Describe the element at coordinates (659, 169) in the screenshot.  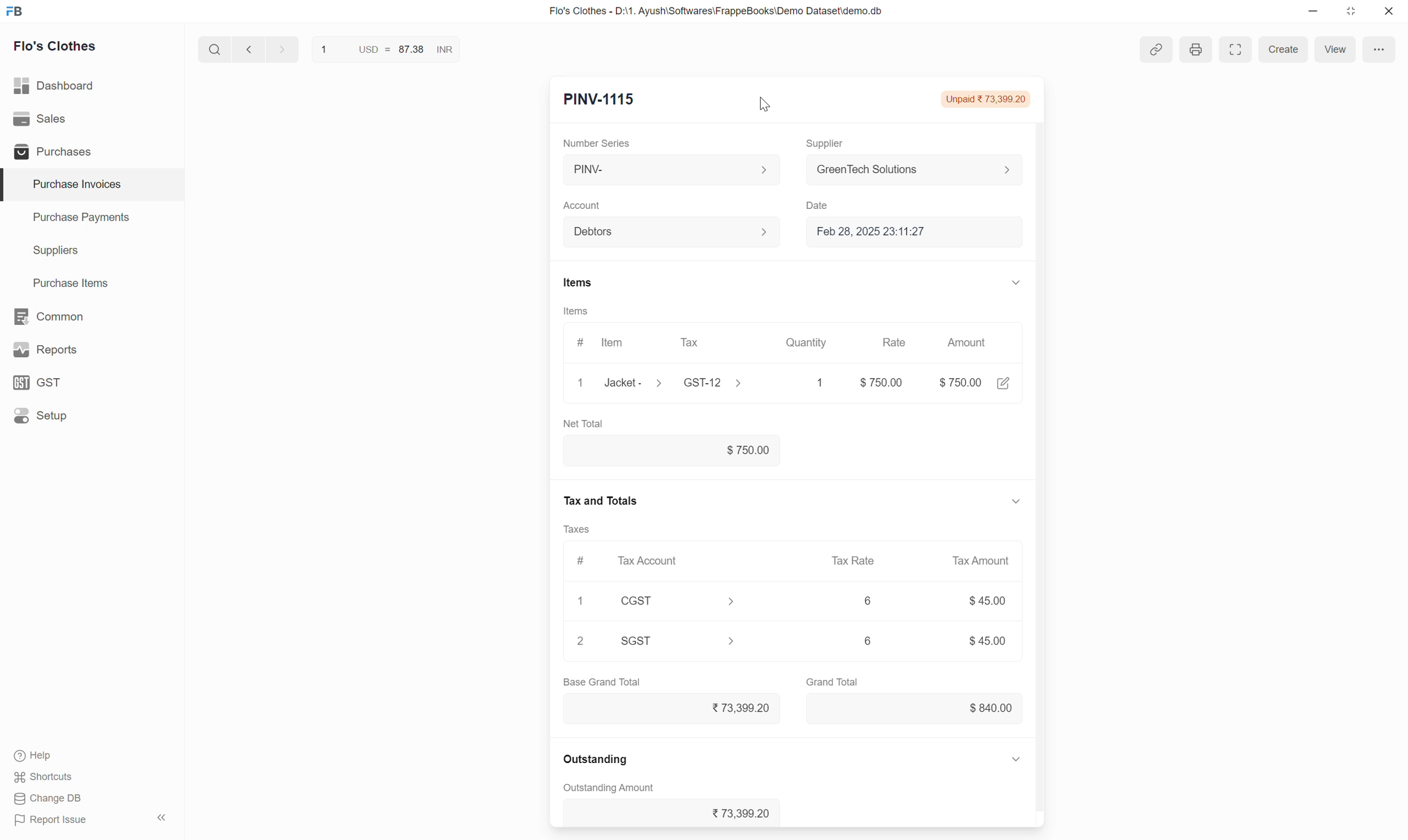
I see `PINV-` at that location.